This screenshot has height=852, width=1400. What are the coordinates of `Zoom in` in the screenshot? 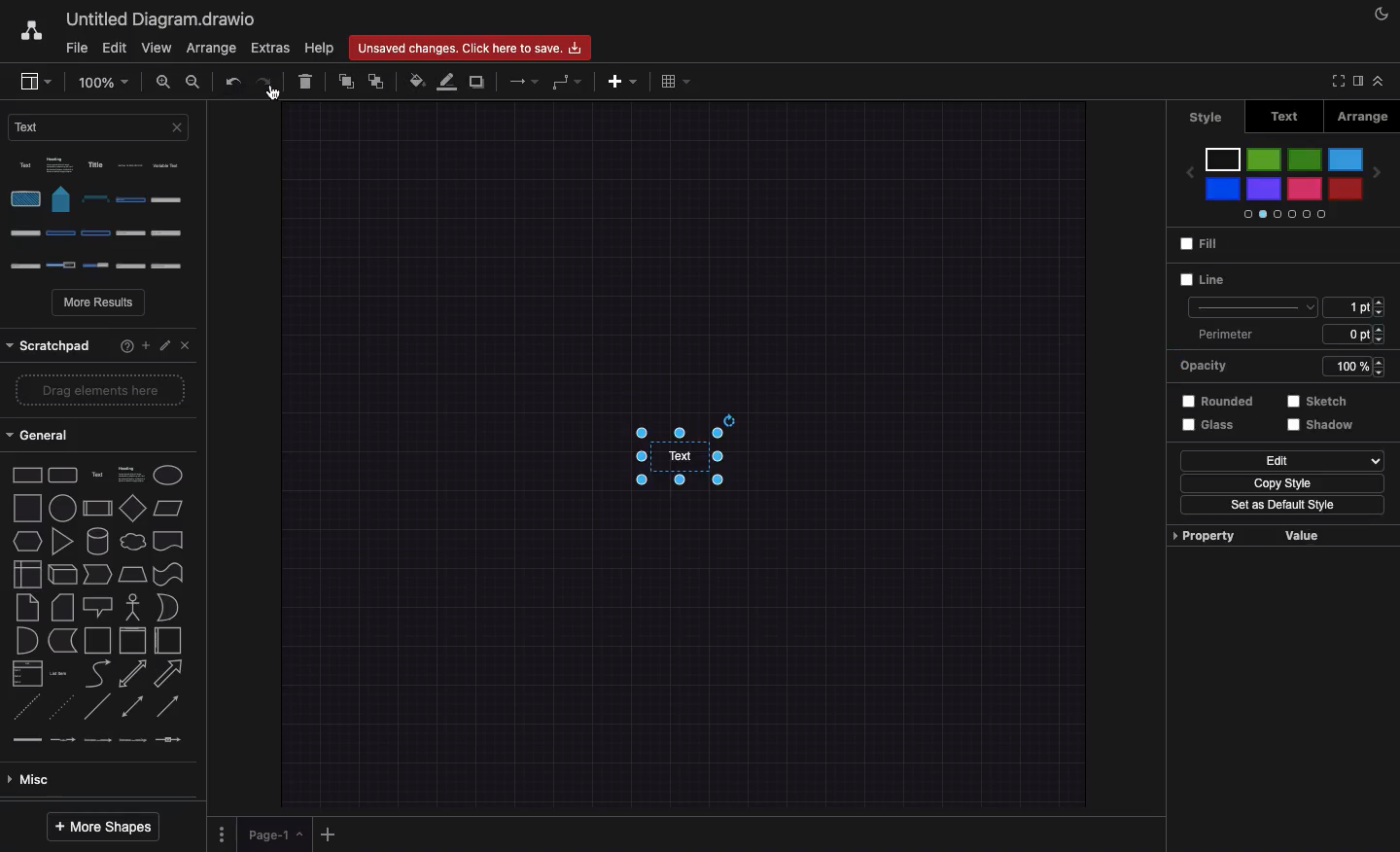 It's located at (164, 85).